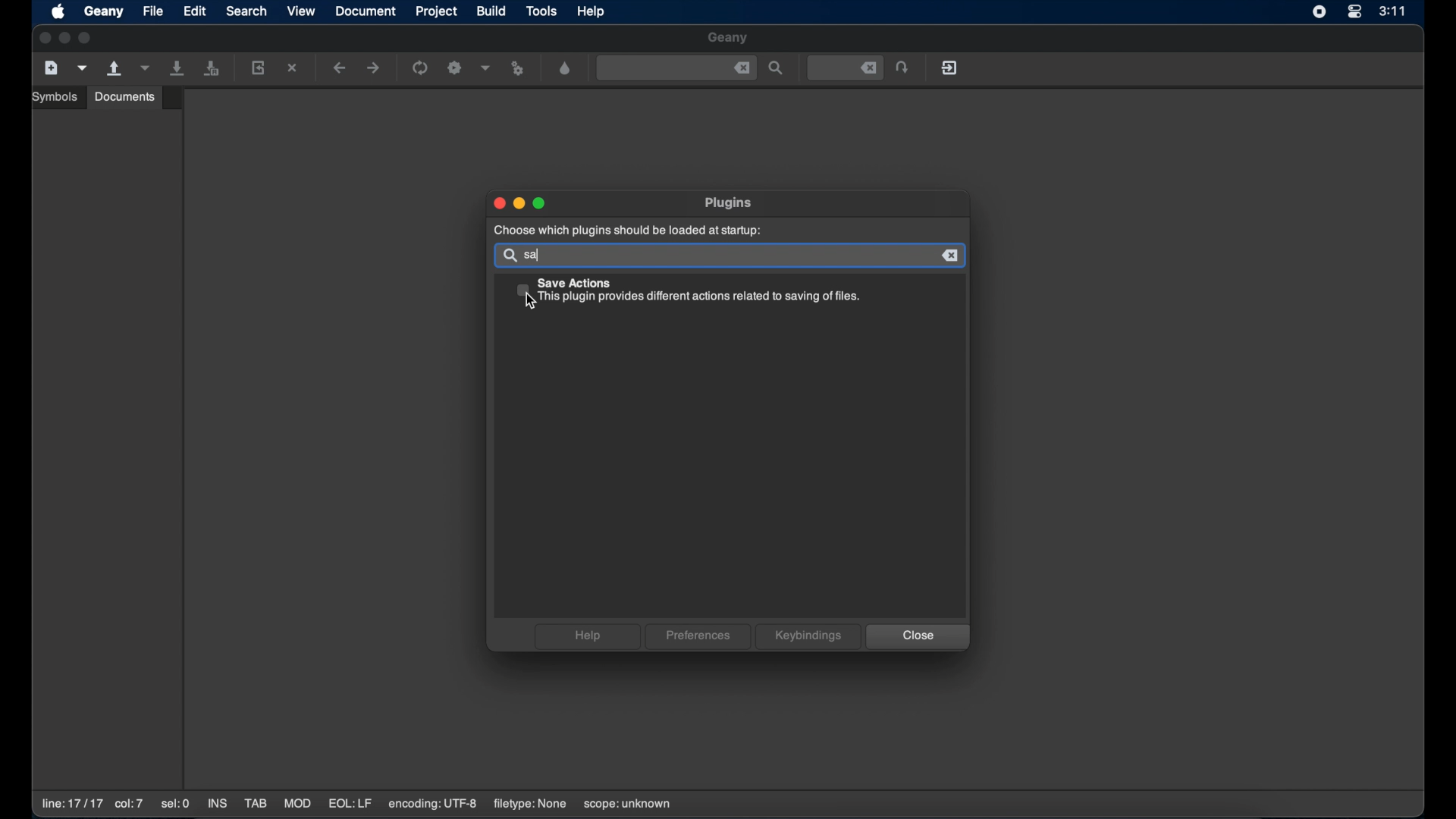 The height and width of the screenshot is (819, 1456). I want to click on file, so click(154, 11).